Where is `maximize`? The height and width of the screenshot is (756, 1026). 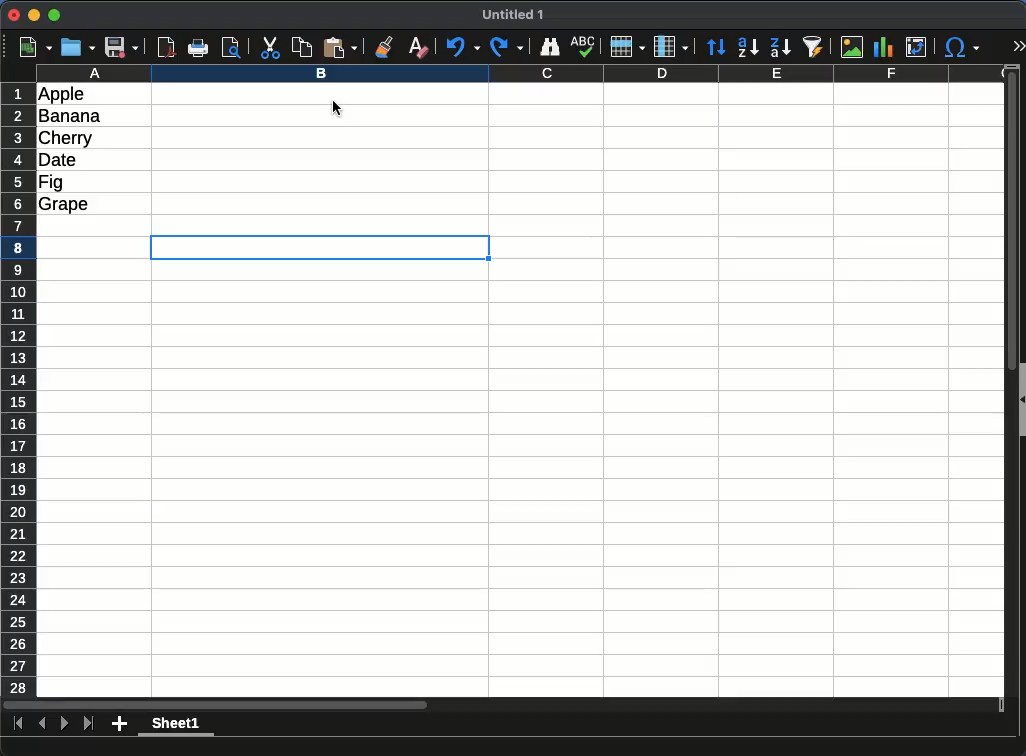
maximize is located at coordinates (54, 15).